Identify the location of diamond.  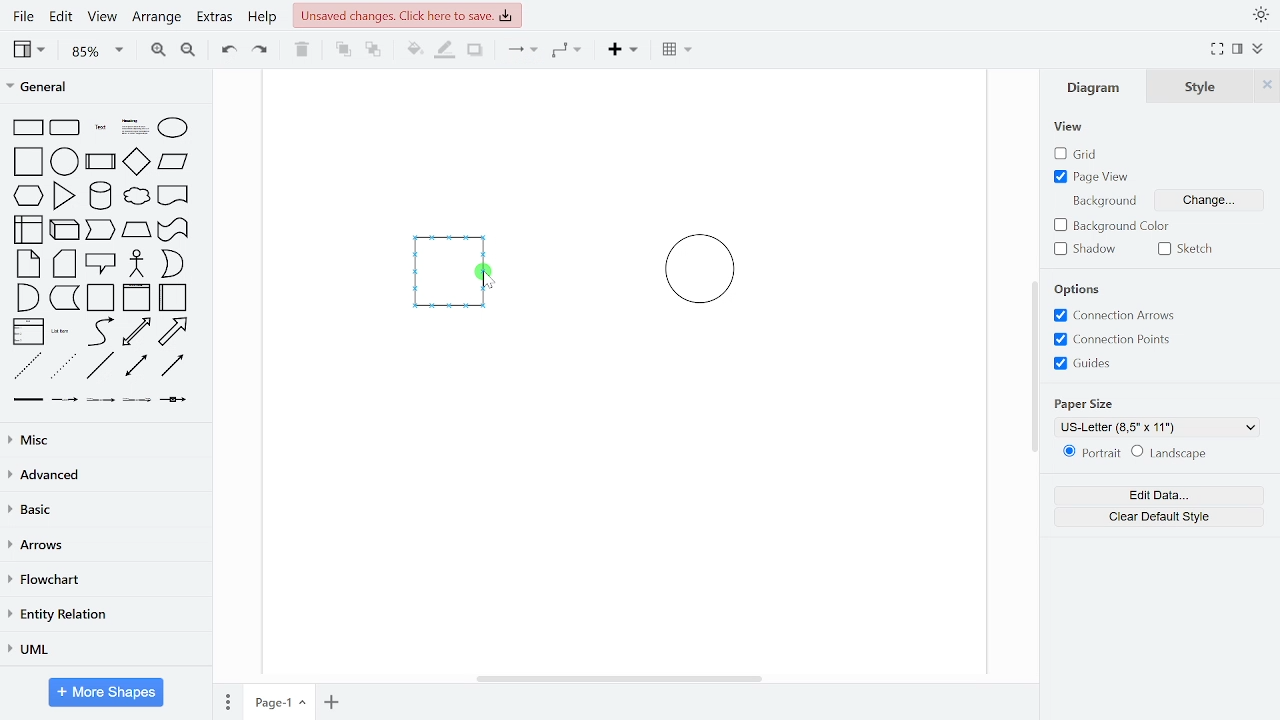
(136, 163).